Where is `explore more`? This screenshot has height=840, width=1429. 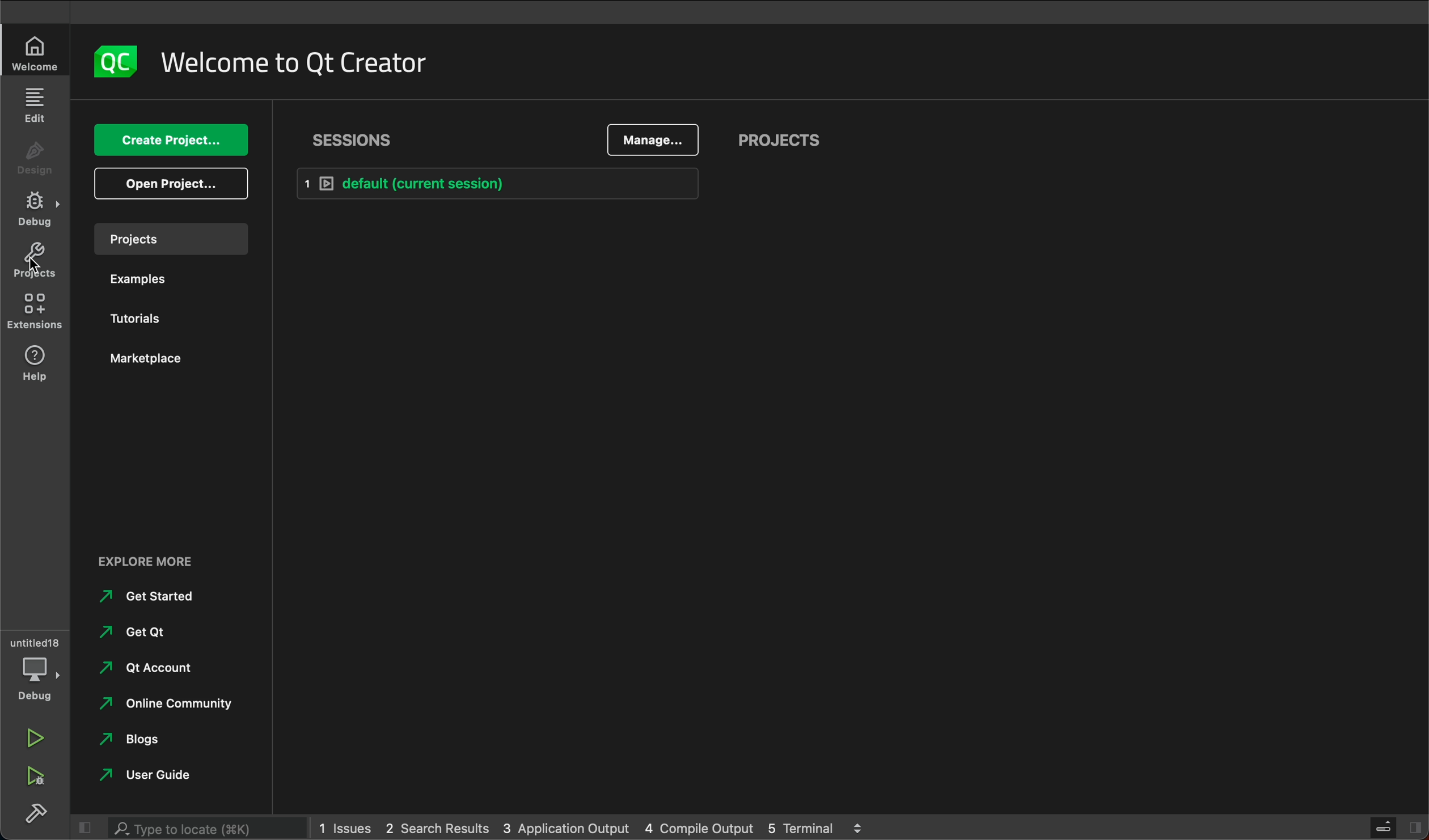 explore more is located at coordinates (142, 562).